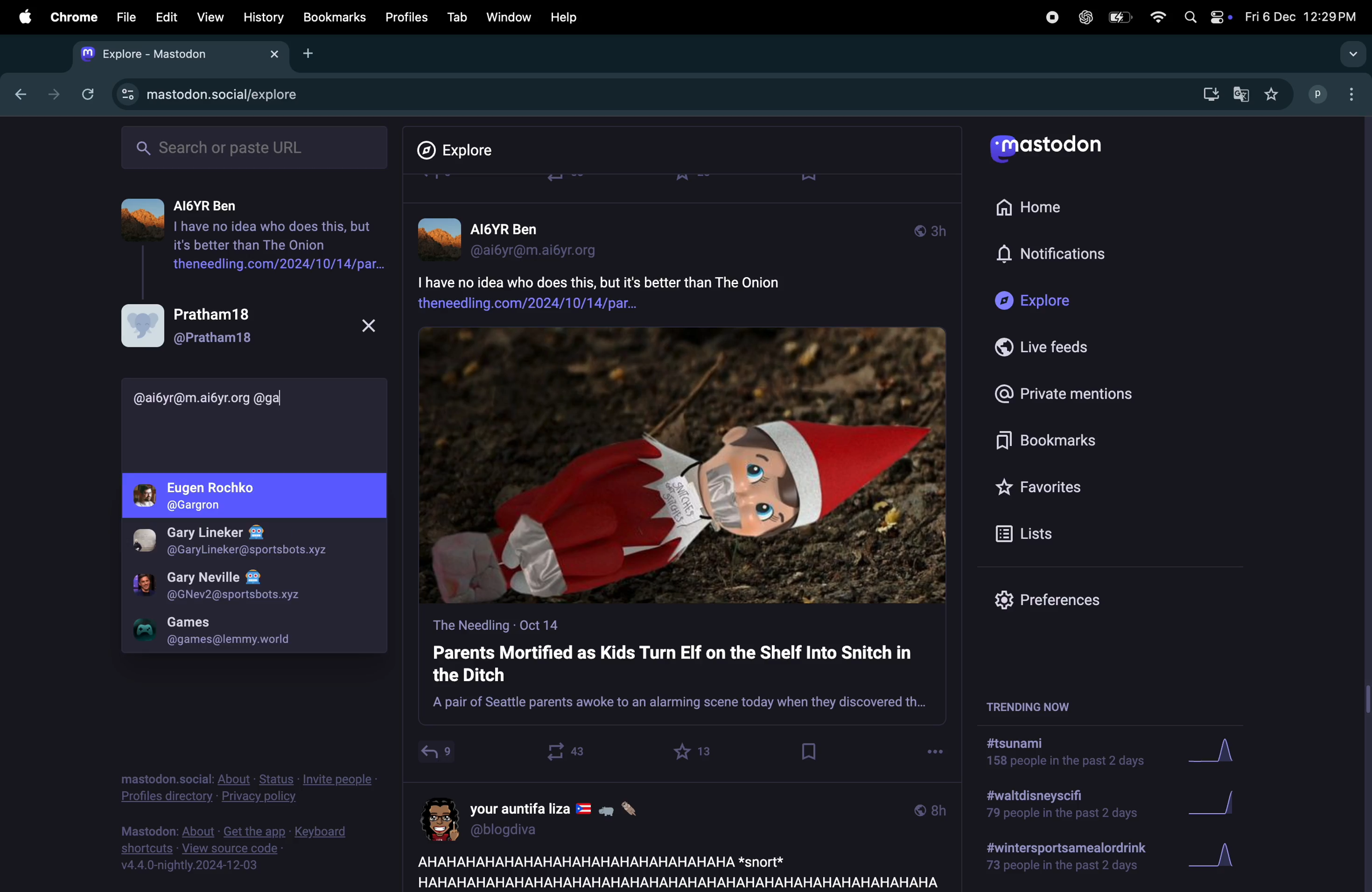 The width and height of the screenshot is (1372, 892). Describe the element at coordinates (682, 670) in the screenshot. I see `post box` at that location.